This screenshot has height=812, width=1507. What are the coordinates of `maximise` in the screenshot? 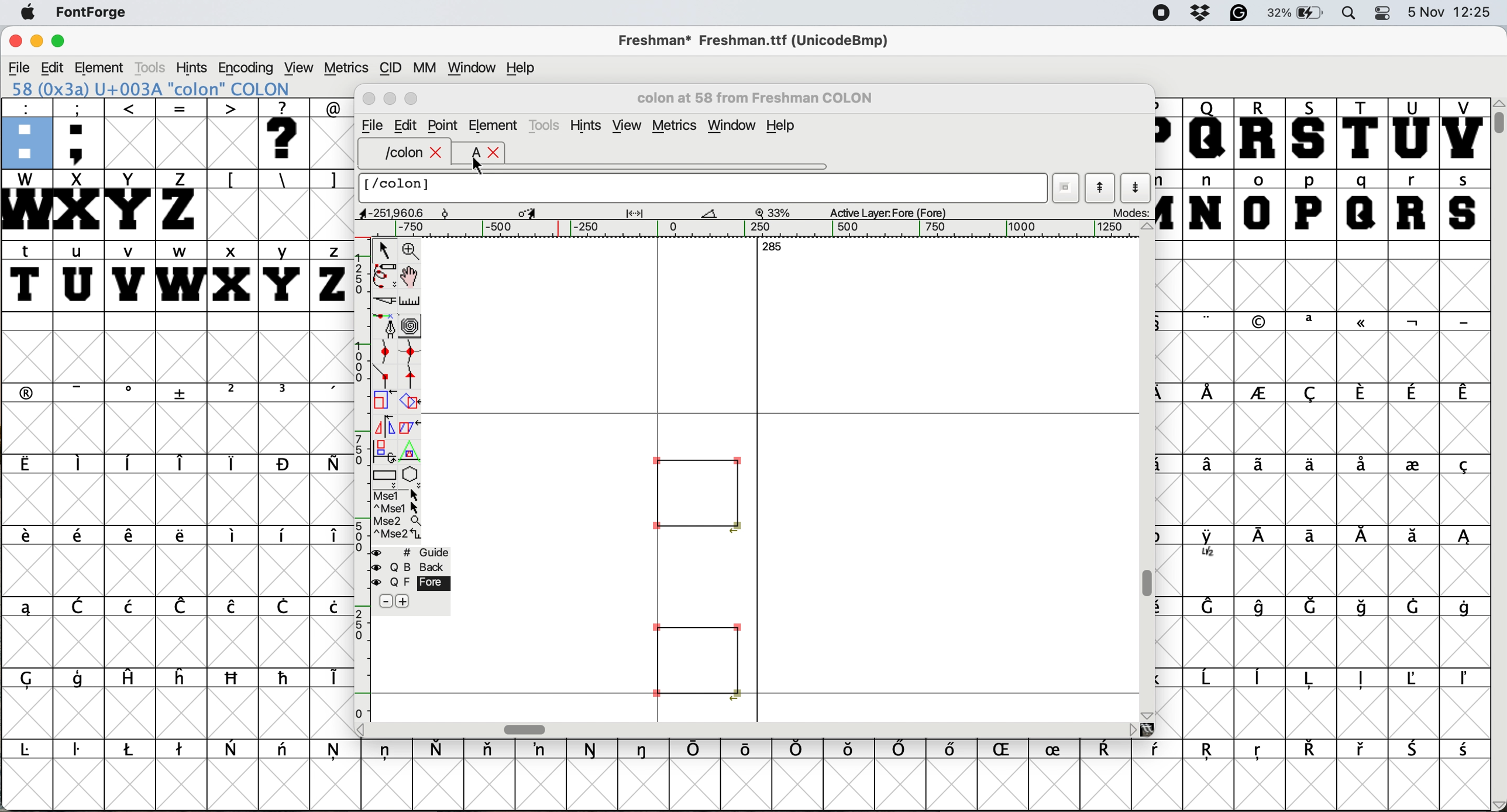 It's located at (61, 40).